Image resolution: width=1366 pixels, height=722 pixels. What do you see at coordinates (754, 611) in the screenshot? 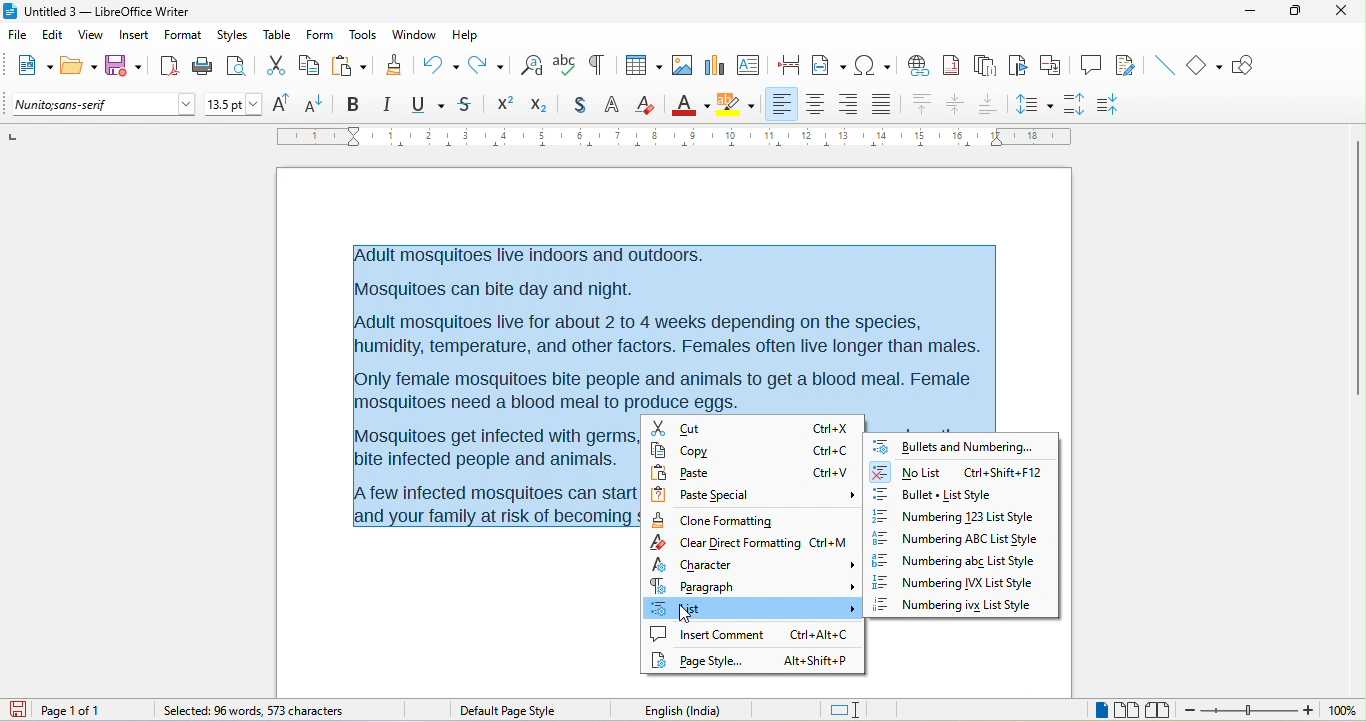
I see `list` at bounding box center [754, 611].